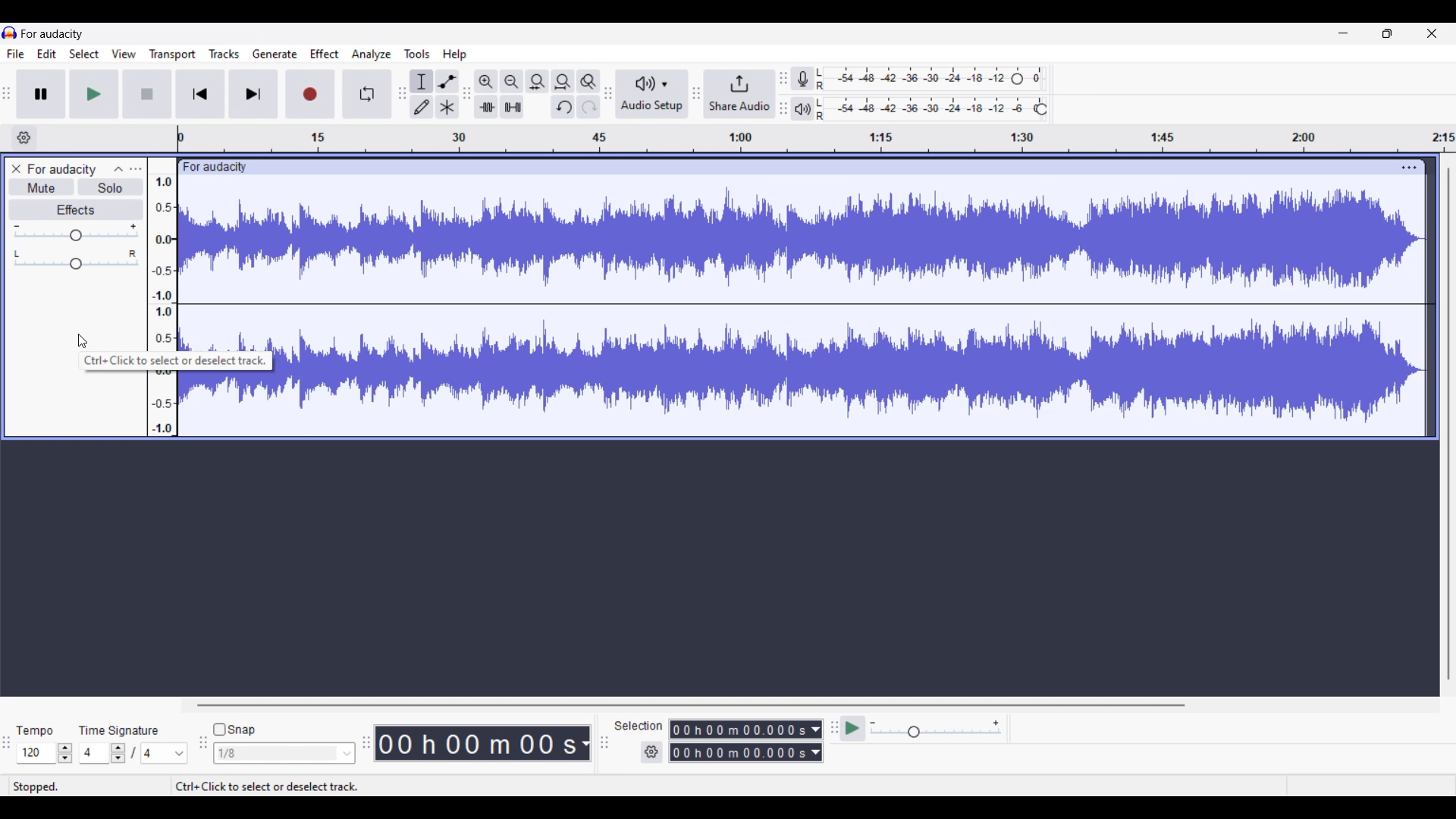  I want to click on Close track, so click(16, 168).